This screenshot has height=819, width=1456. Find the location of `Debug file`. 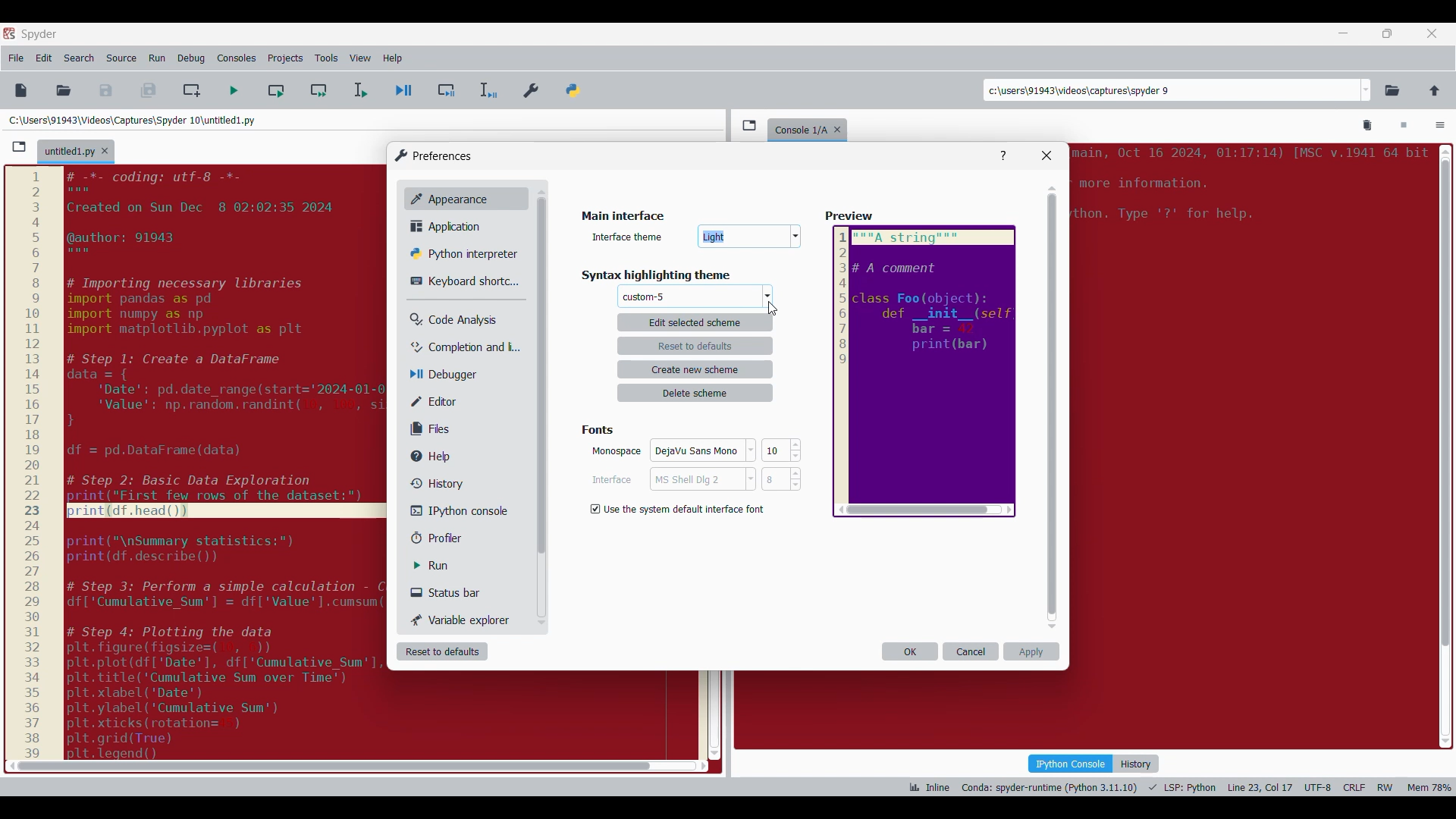

Debug file is located at coordinates (404, 91).